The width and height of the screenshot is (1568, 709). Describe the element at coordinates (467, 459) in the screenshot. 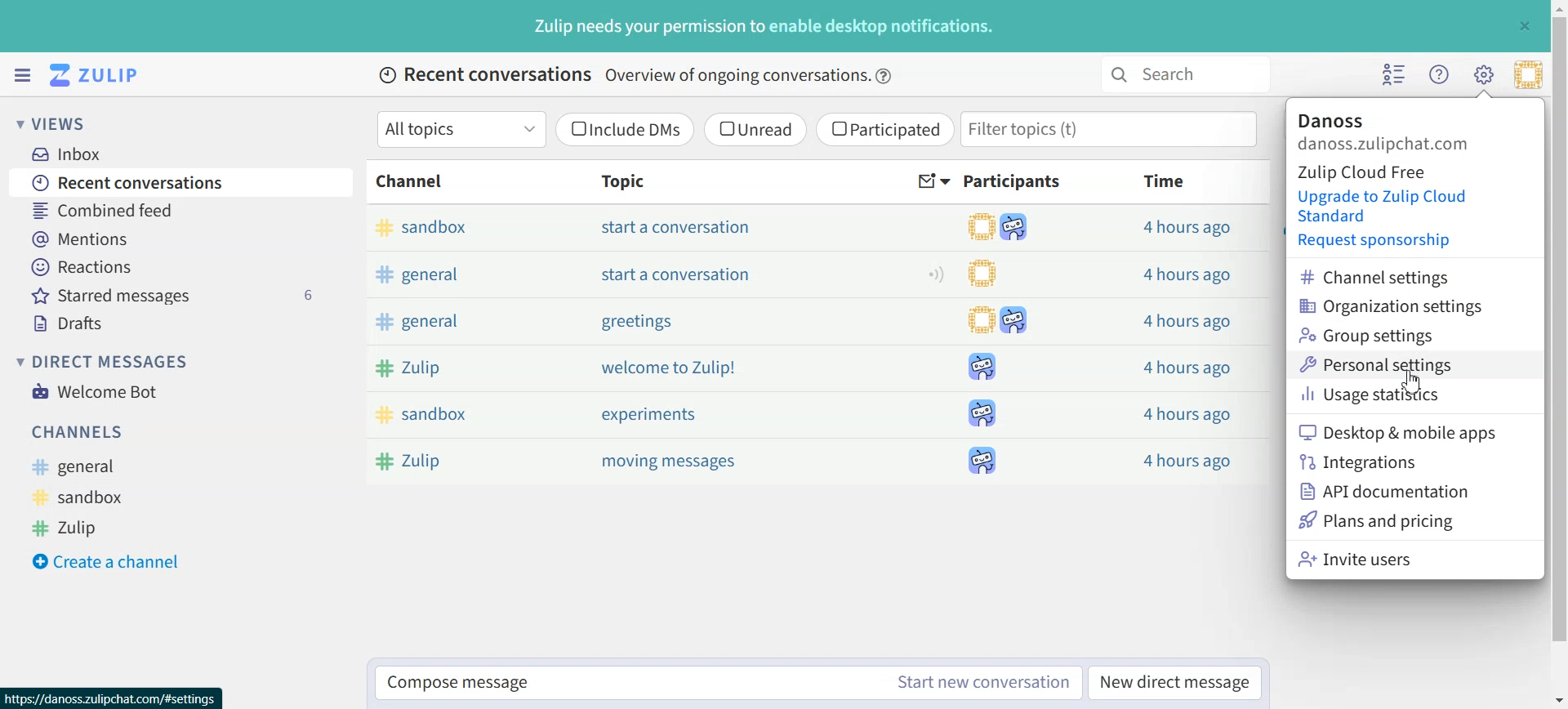

I see `#Zulip` at that location.